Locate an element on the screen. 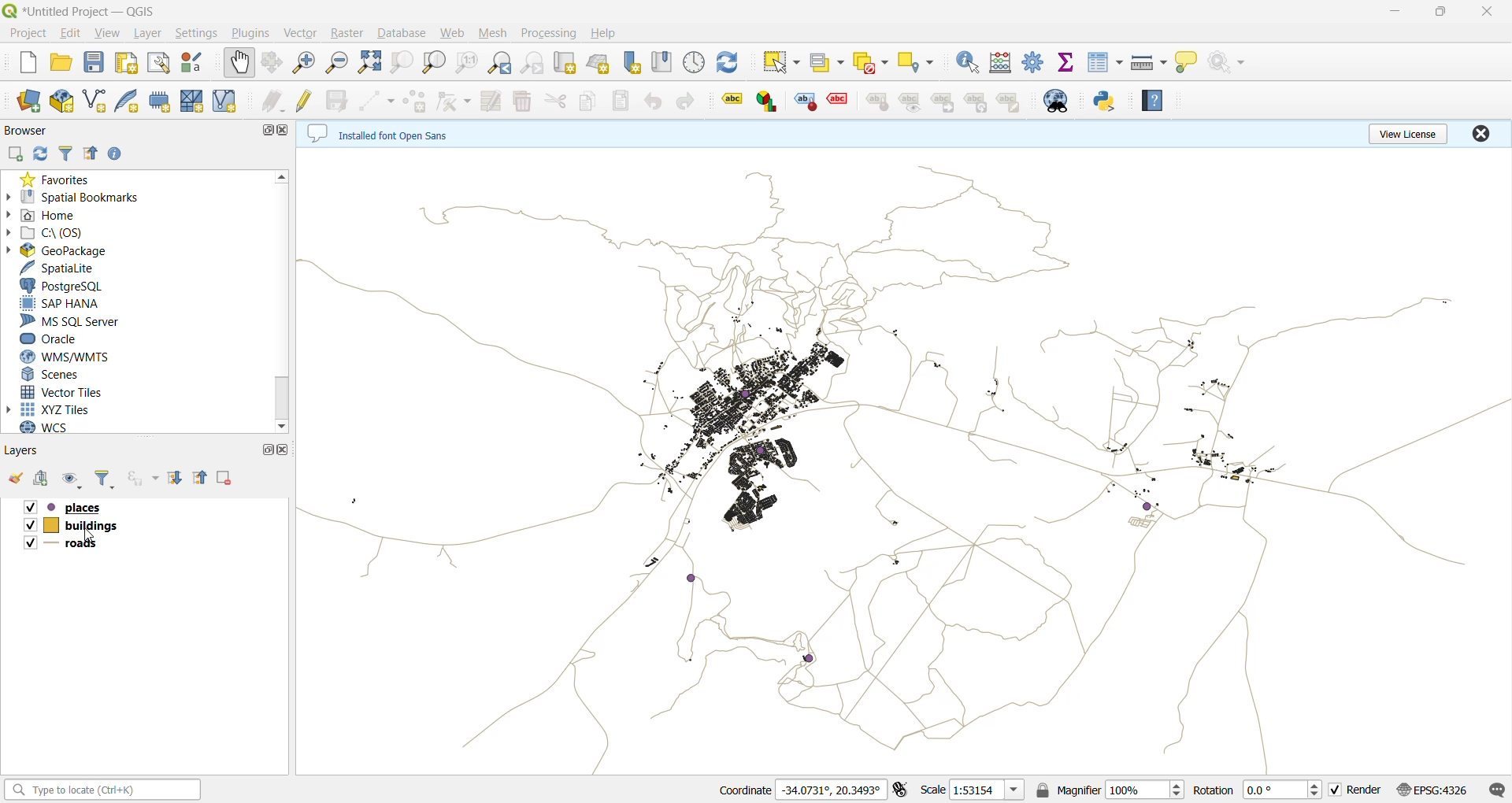  vertical scroll bar is located at coordinates (282, 303).